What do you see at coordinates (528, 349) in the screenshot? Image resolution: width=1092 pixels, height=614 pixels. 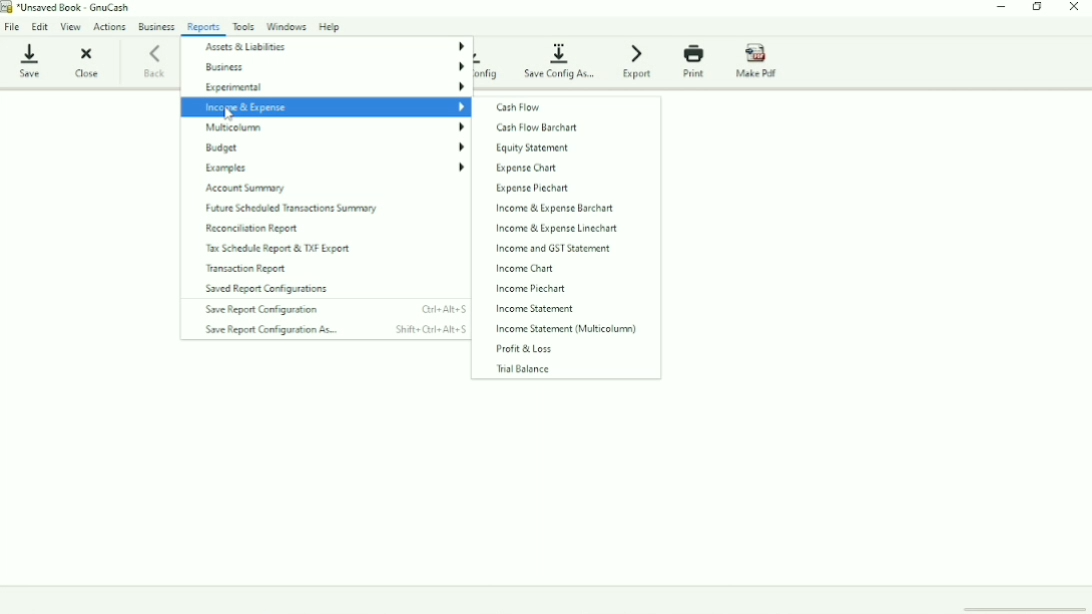 I see `Profit & Loss` at bounding box center [528, 349].